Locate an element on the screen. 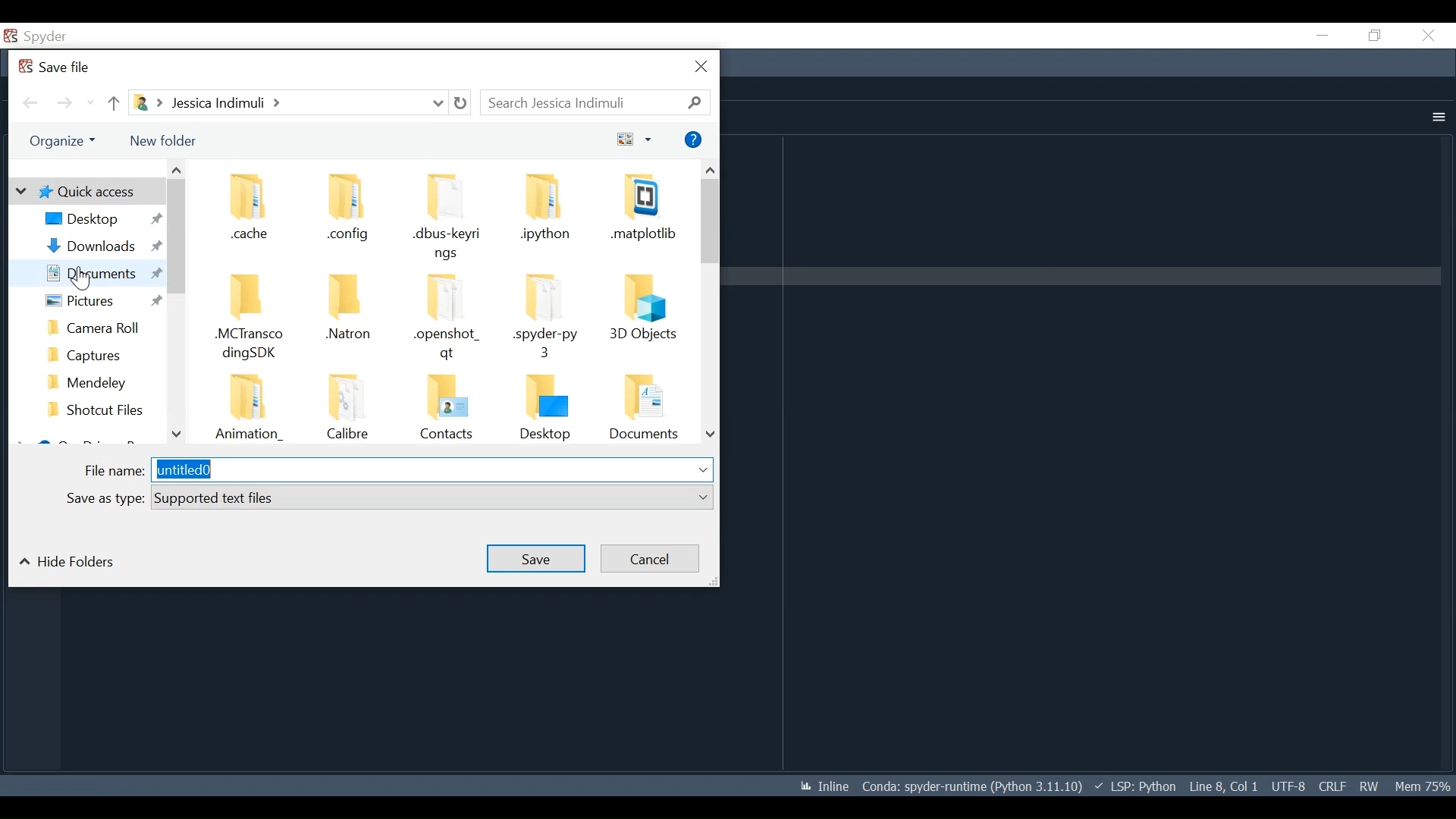  Desktop is located at coordinates (102, 218).